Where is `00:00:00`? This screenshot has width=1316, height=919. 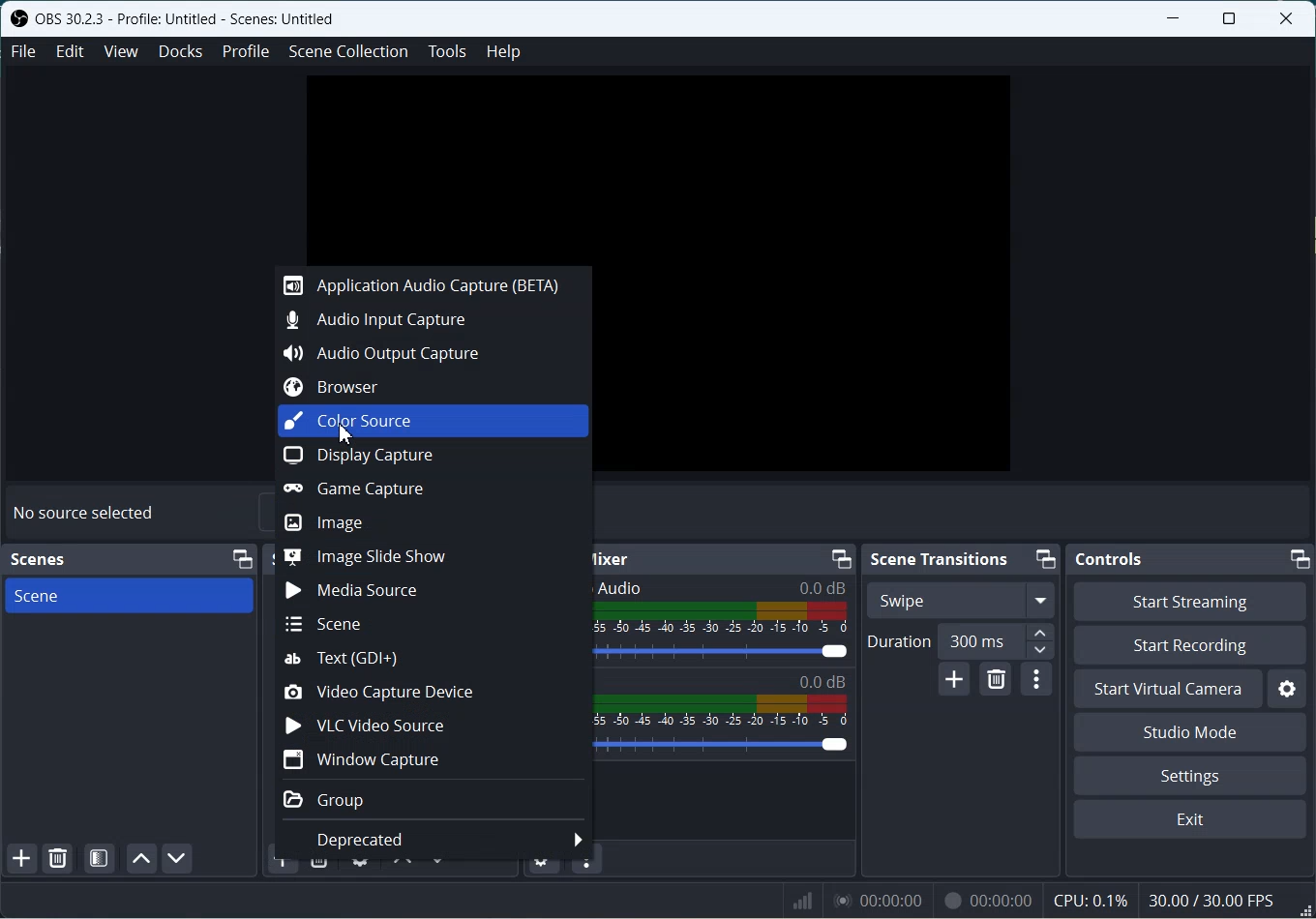
00:00:00 is located at coordinates (881, 898).